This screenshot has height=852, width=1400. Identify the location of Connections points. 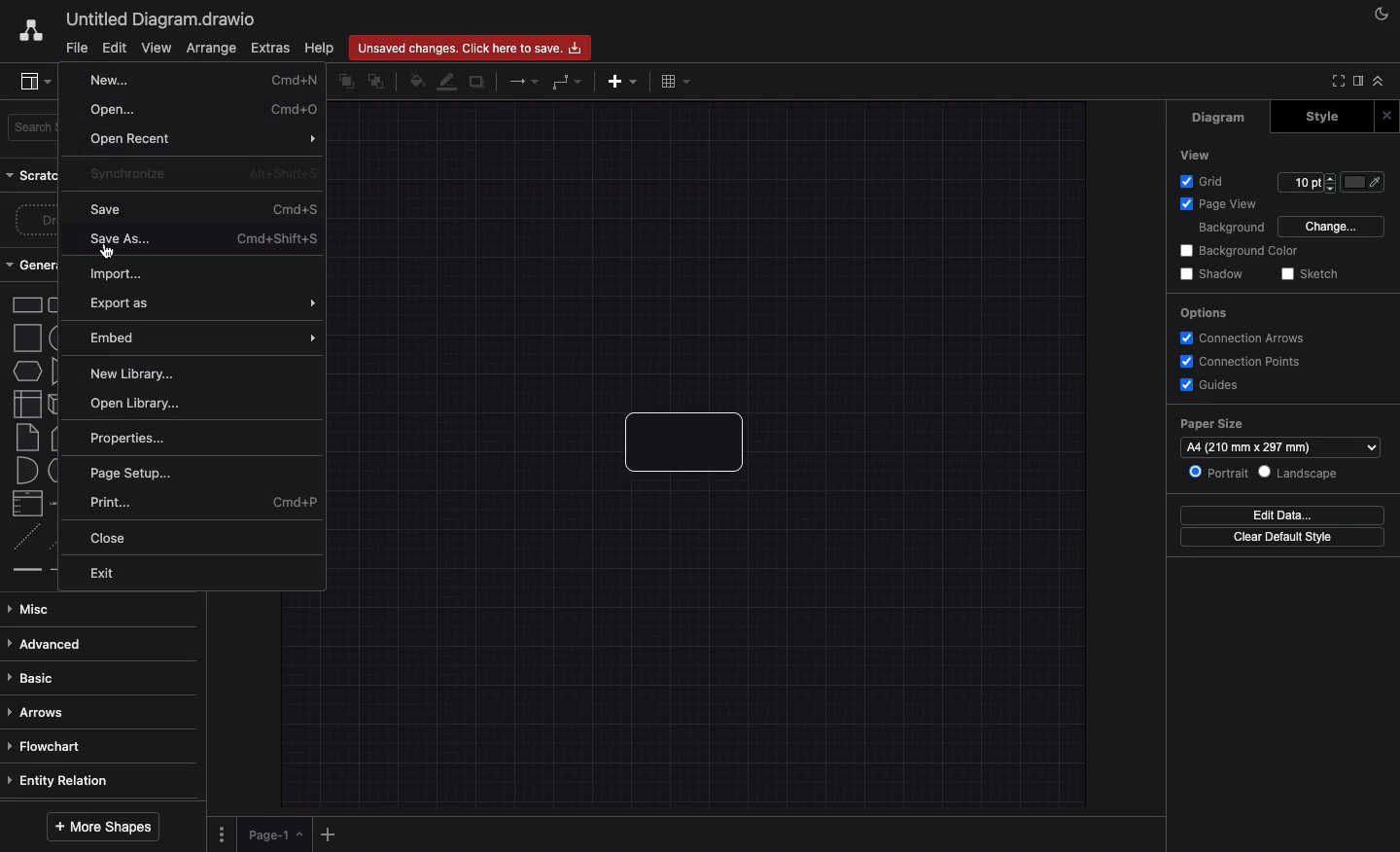
(1242, 362).